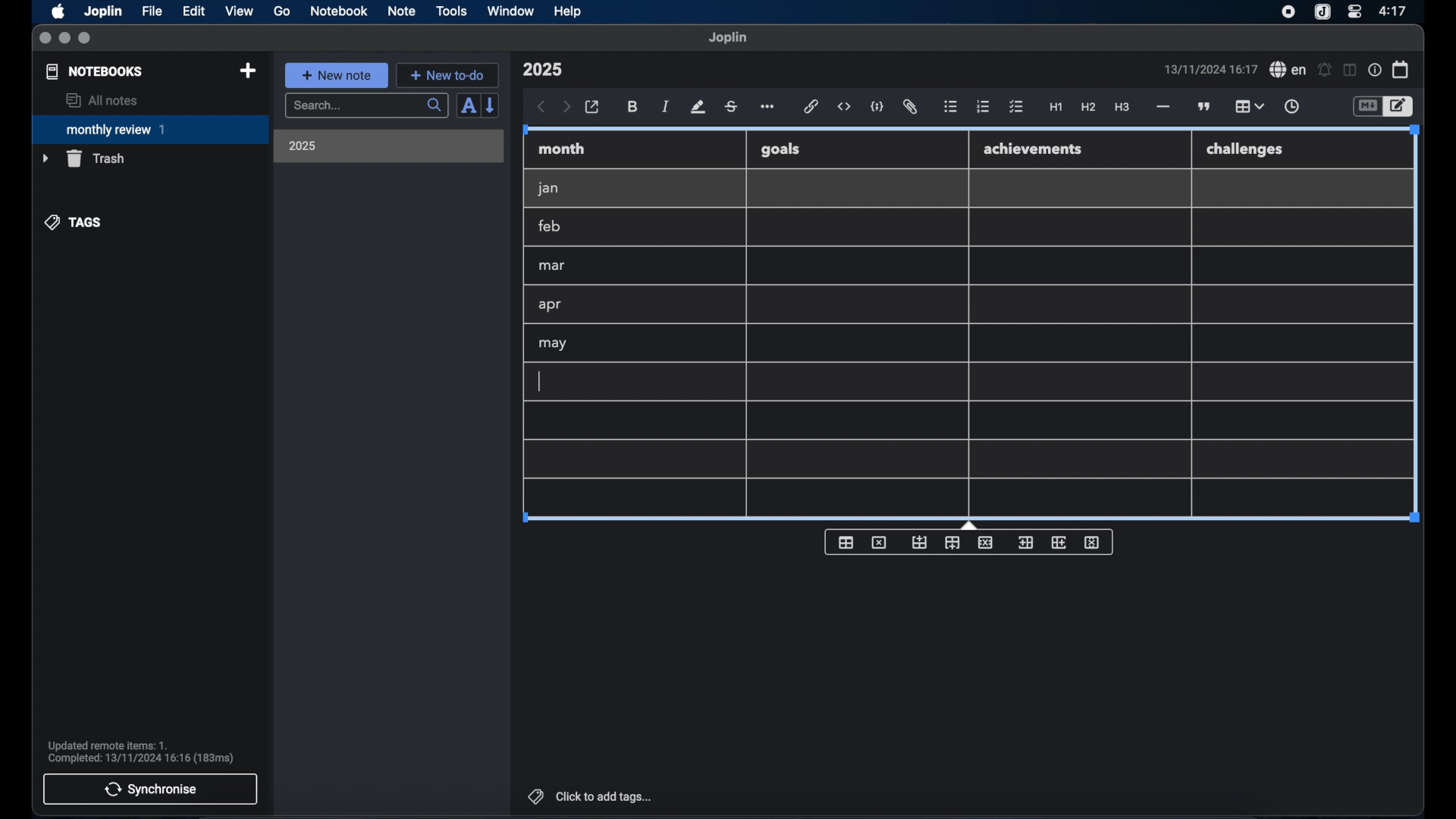 This screenshot has height=819, width=1456. I want to click on numbered list, so click(983, 106).